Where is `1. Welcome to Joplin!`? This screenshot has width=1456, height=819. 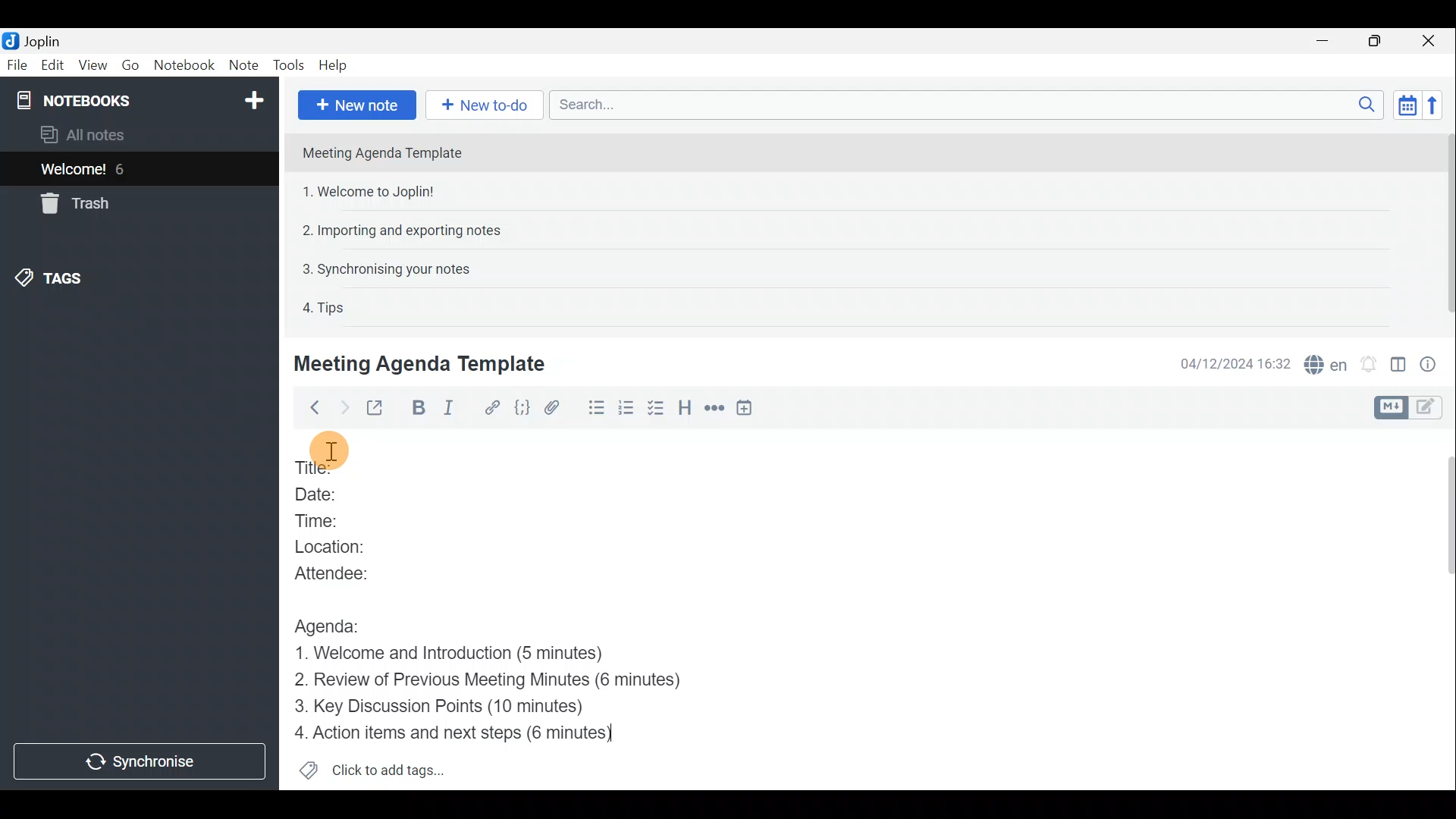 1. Welcome to Joplin! is located at coordinates (373, 191).